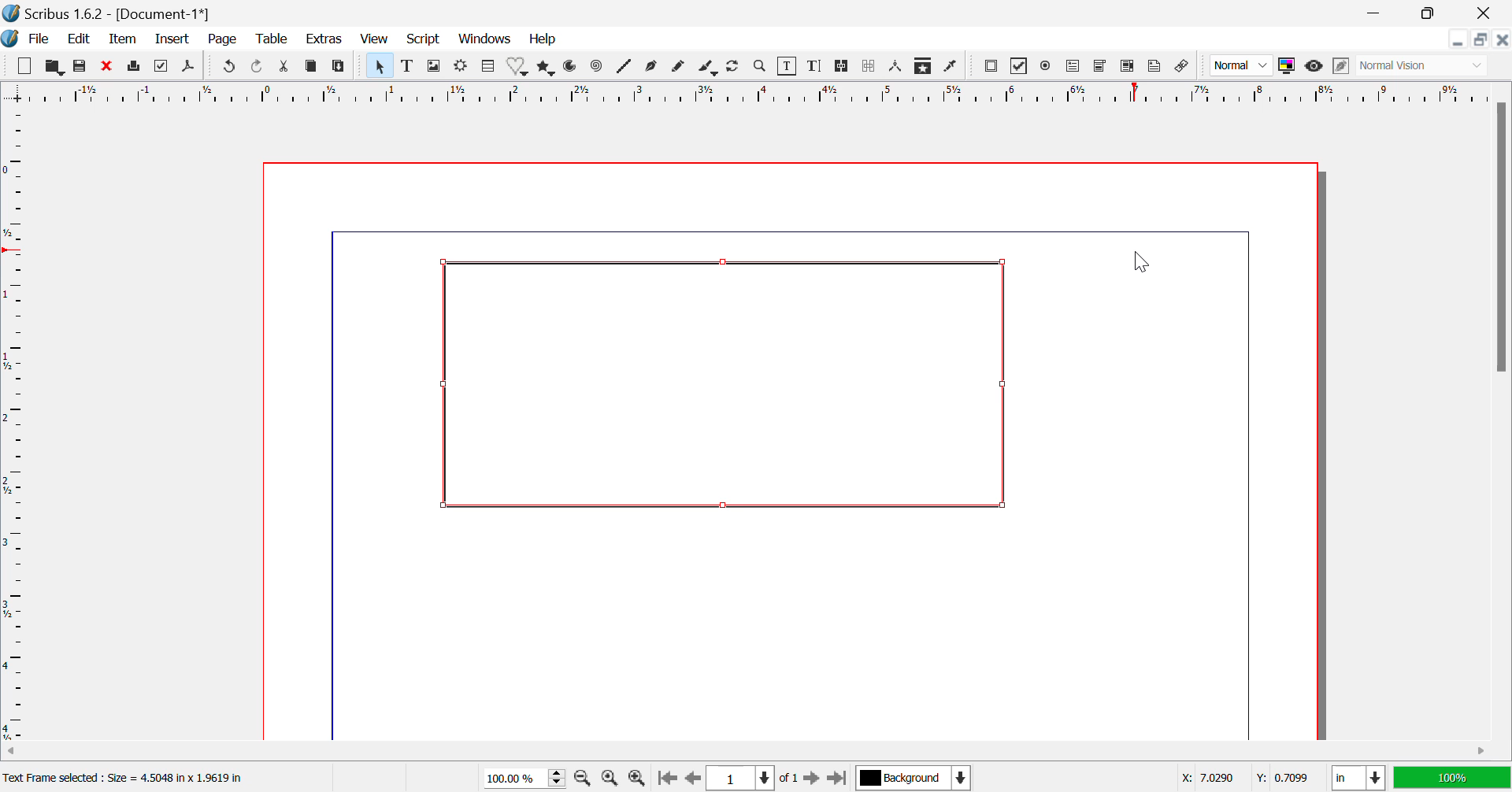 Image resolution: width=1512 pixels, height=792 pixels. Describe the element at coordinates (912, 777) in the screenshot. I see `Background` at that location.